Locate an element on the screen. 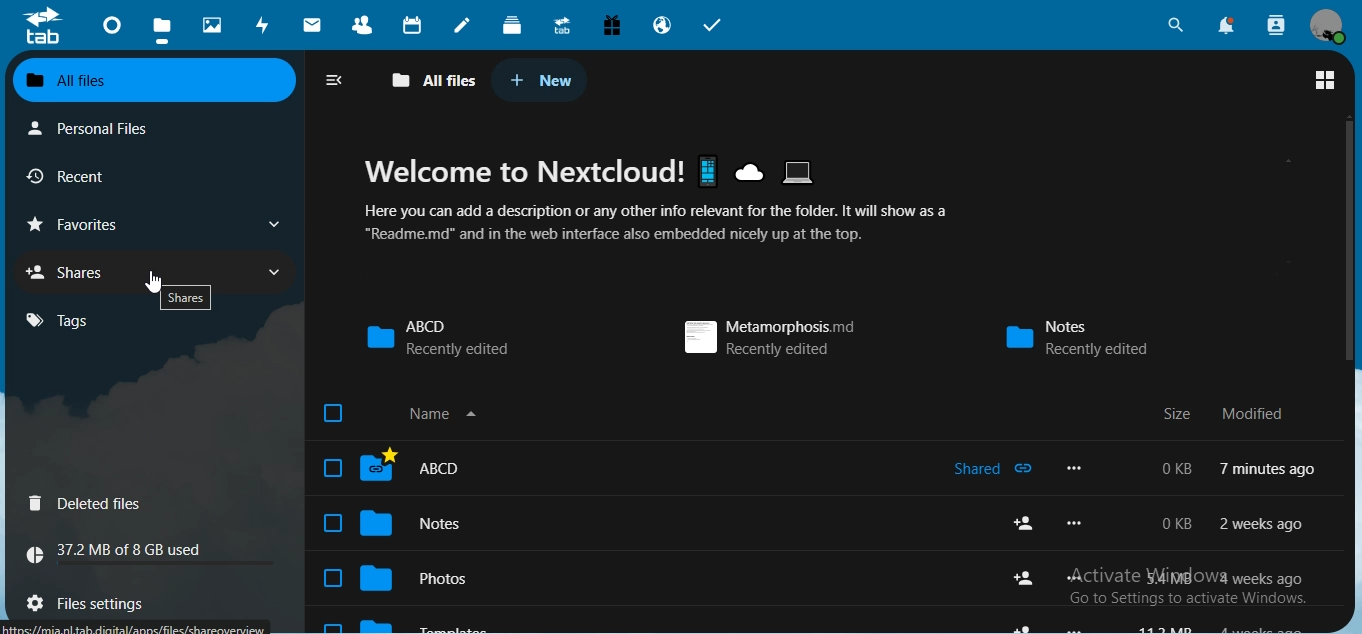  ABCD is located at coordinates (438, 336).